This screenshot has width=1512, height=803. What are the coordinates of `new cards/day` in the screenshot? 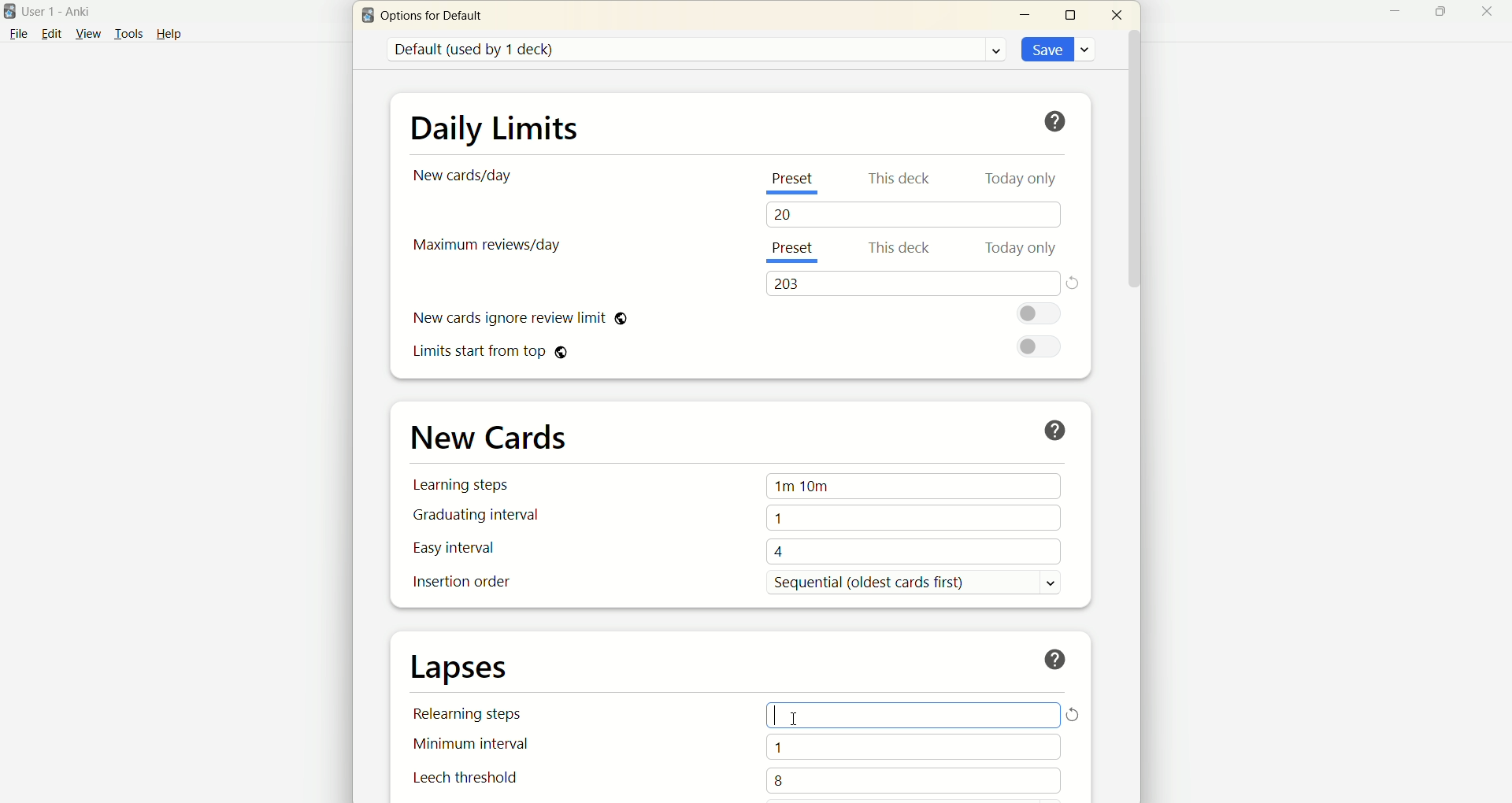 It's located at (467, 176).